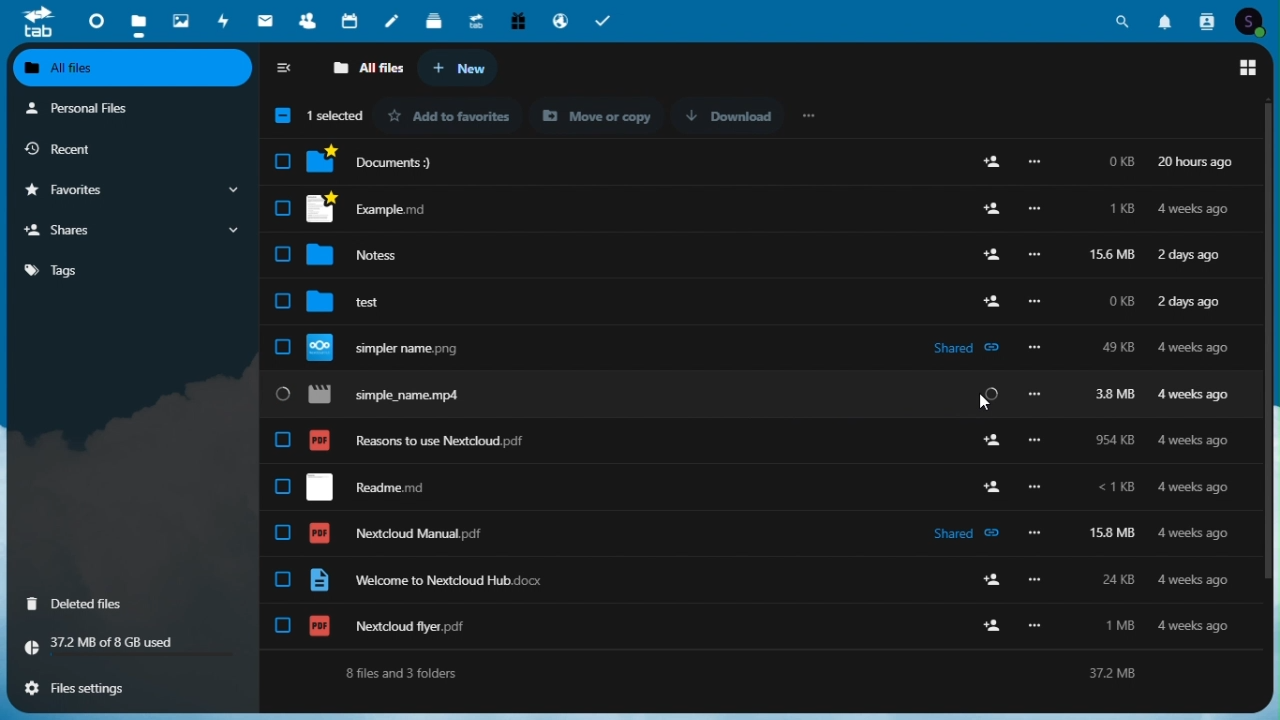 Image resolution: width=1280 pixels, height=720 pixels. Describe the element at coordinates (755, 251) in the screenshot. I see `Notes` at that location.